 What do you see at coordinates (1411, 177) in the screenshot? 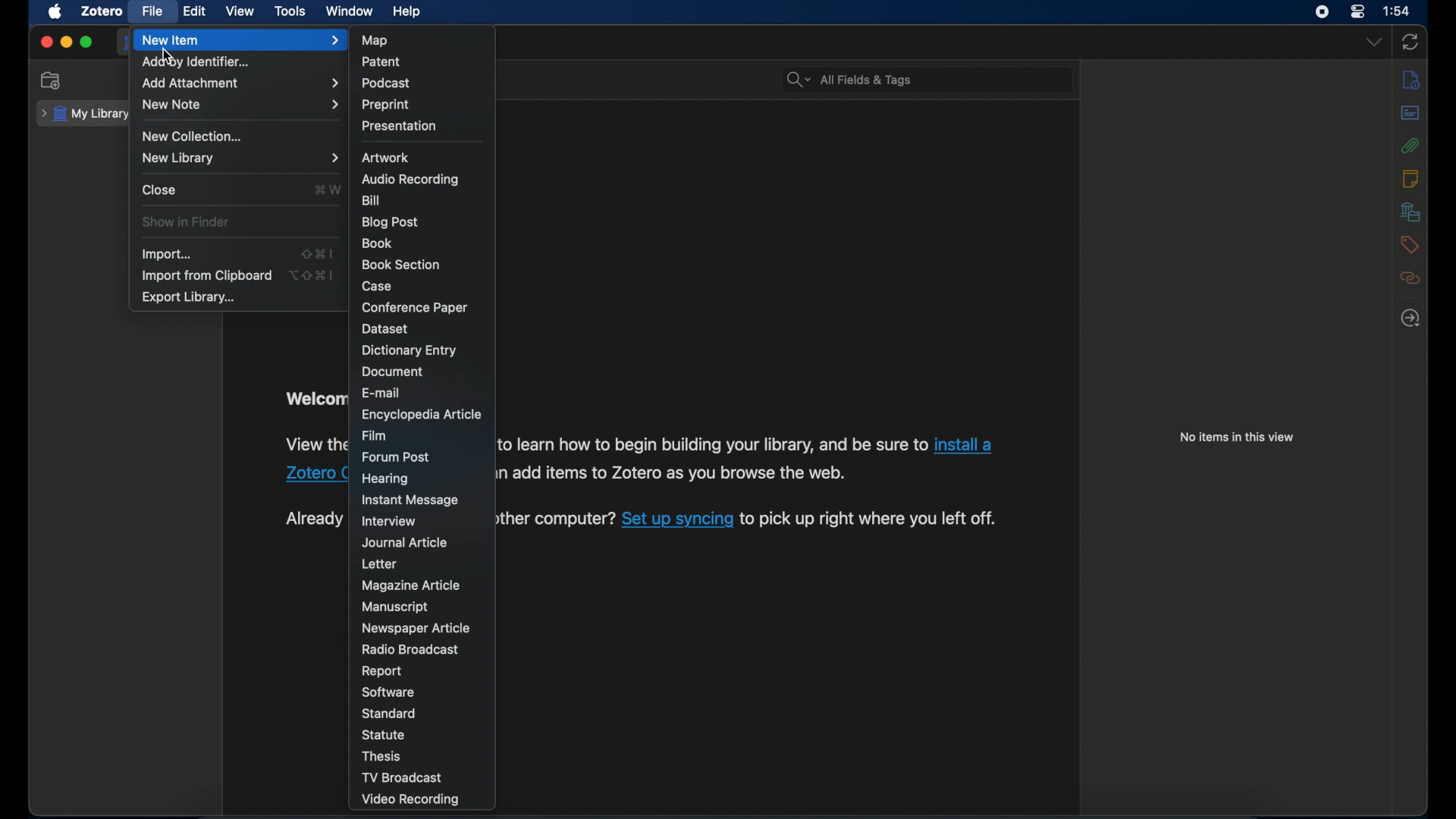
I see `notes` at bounding box center [1411, 177].